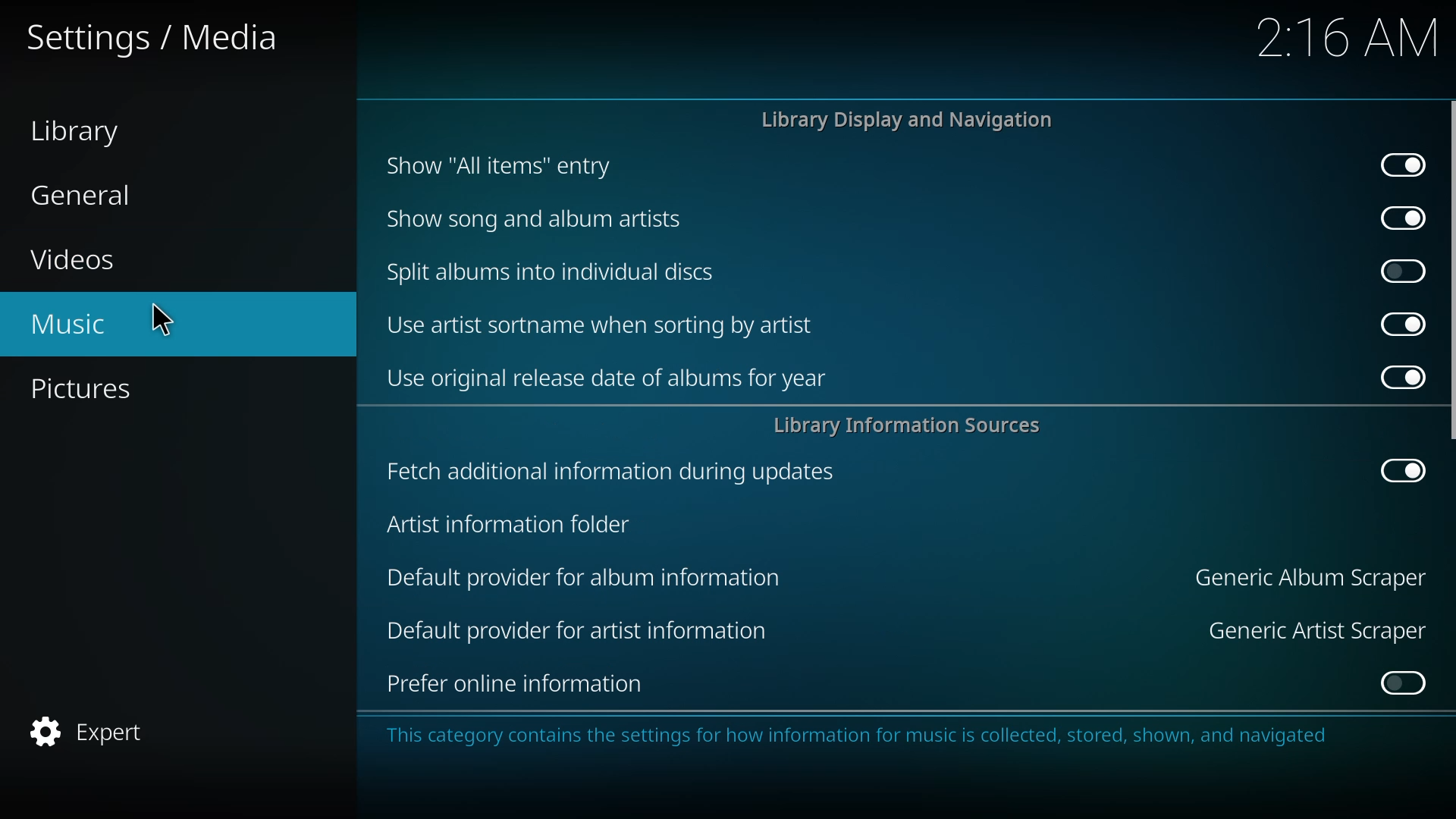  I want to click on default provider for artist information, so click(584, 631).